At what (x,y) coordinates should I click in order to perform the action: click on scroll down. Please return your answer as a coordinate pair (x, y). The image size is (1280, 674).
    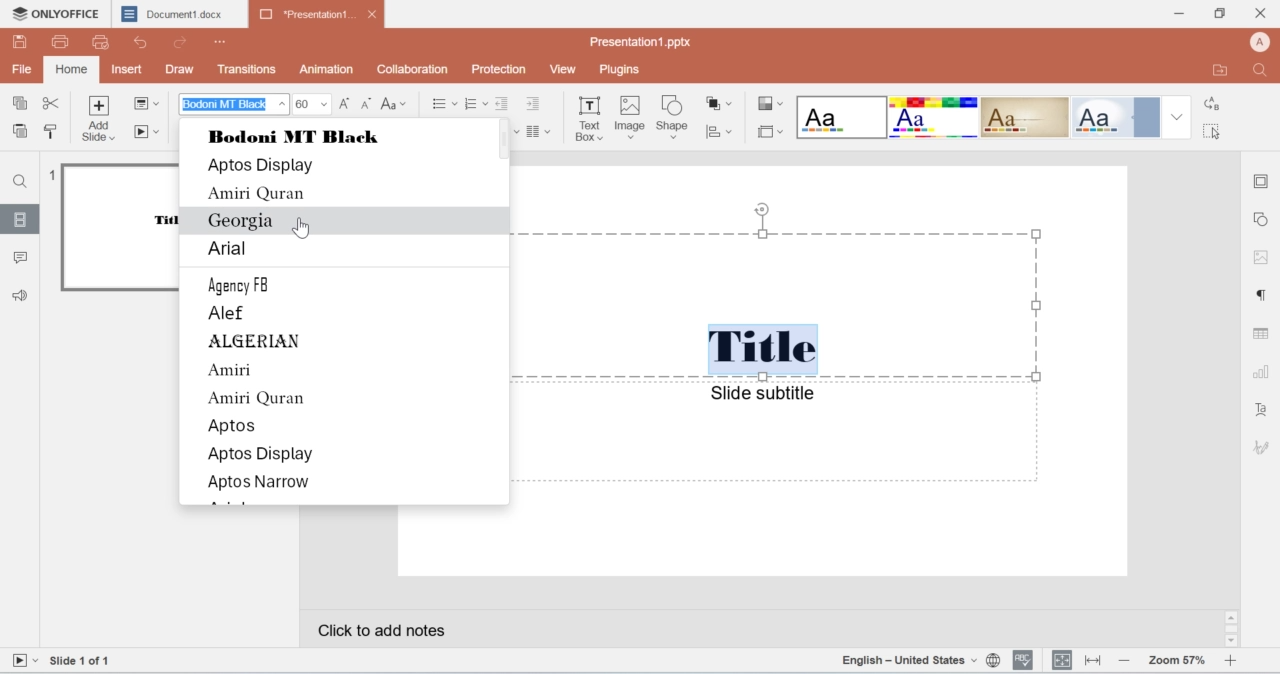
    Looking at the image, I should click on (1230, 642).